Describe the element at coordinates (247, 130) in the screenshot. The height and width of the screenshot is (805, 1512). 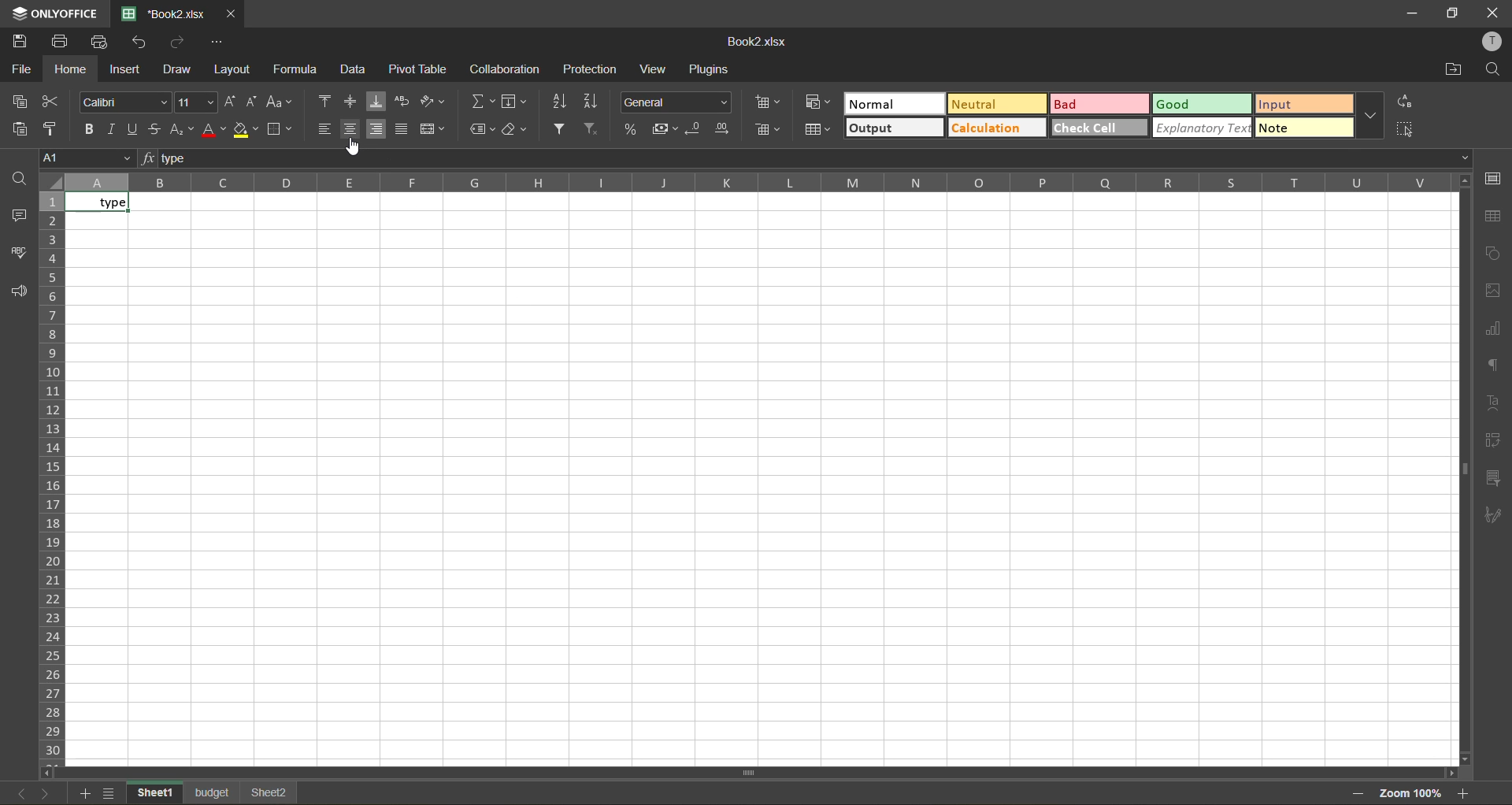
I see `fill color` at that location.